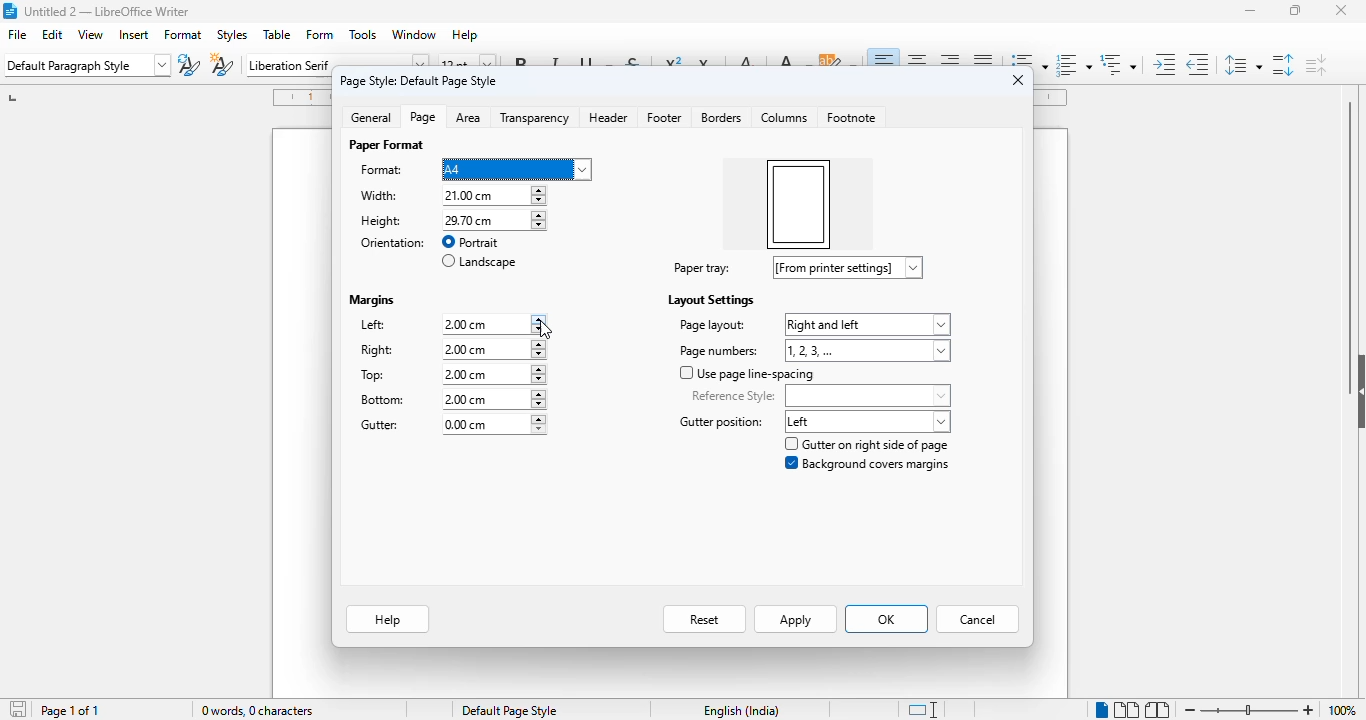 The height and width of the screenshot is (720, 1366). Describe the element at coordinates (388, 146) in the screenshot. I see `paper format` at that location.